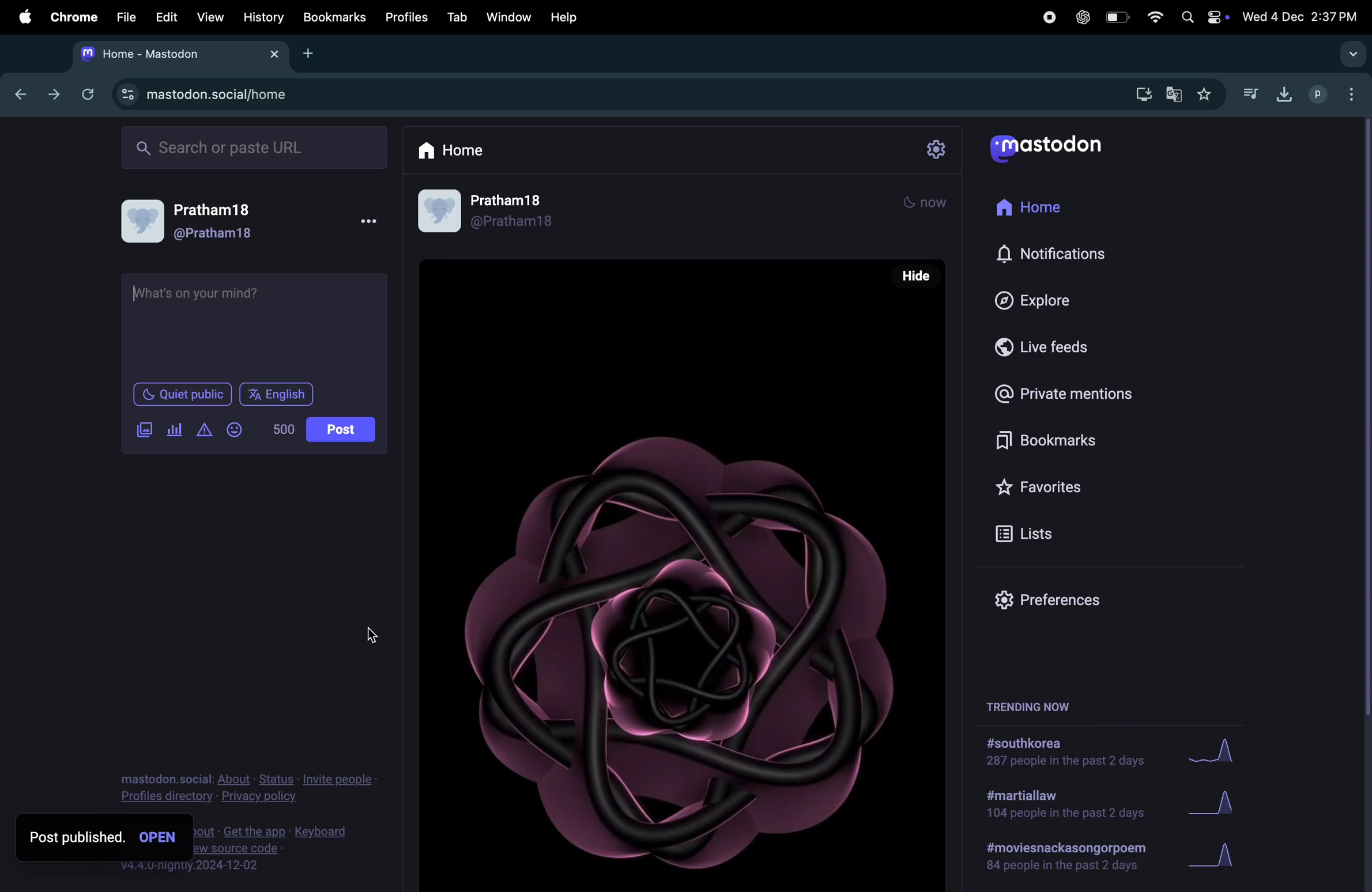 Image resolution: width=1372 pixels, height=892 pixels. Describe the element at coordinates (159, 836) in the screenshot. I see `open` at that location.